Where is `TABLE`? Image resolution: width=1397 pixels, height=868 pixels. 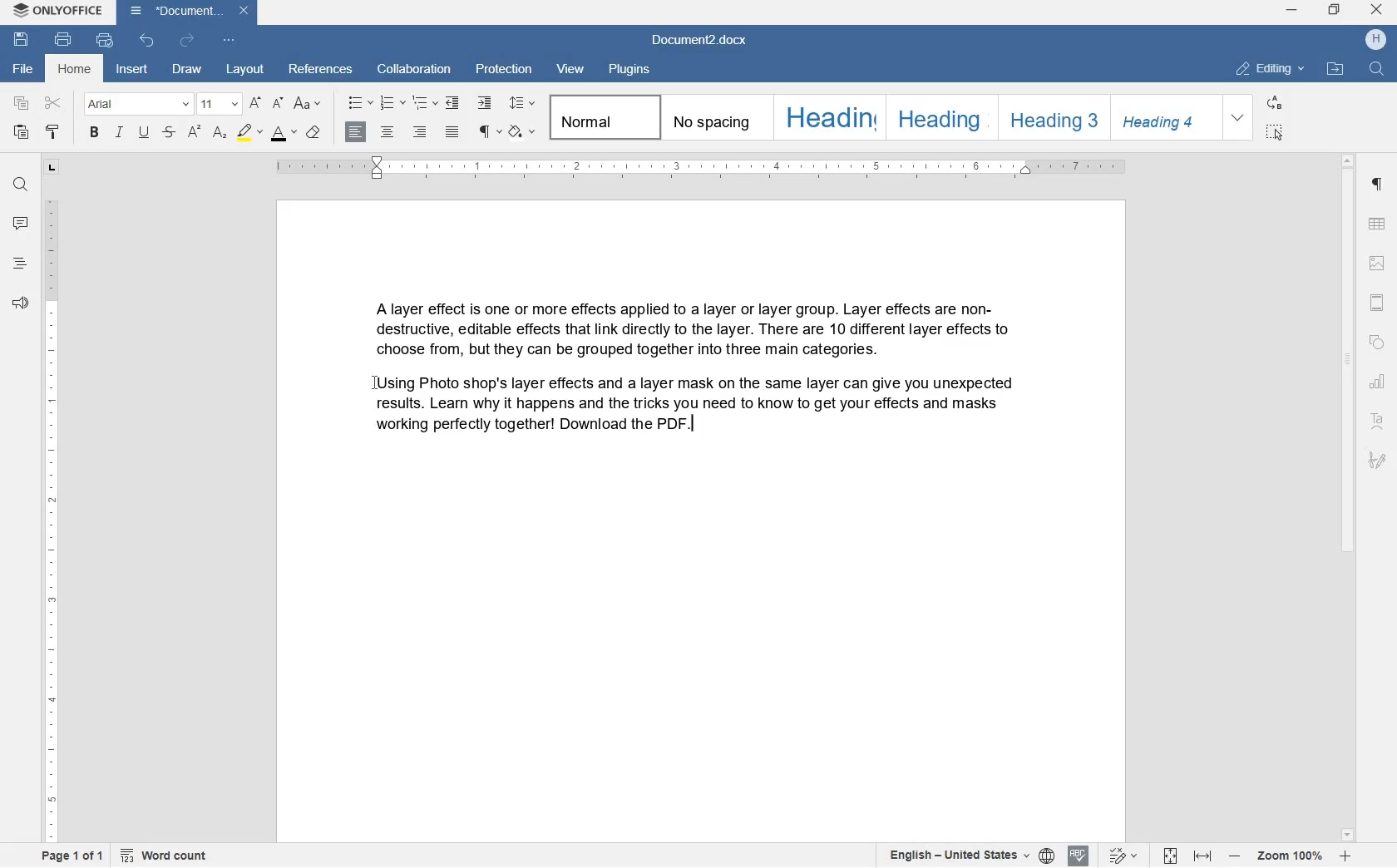
TABLE is located at coordinates (1378, 223).